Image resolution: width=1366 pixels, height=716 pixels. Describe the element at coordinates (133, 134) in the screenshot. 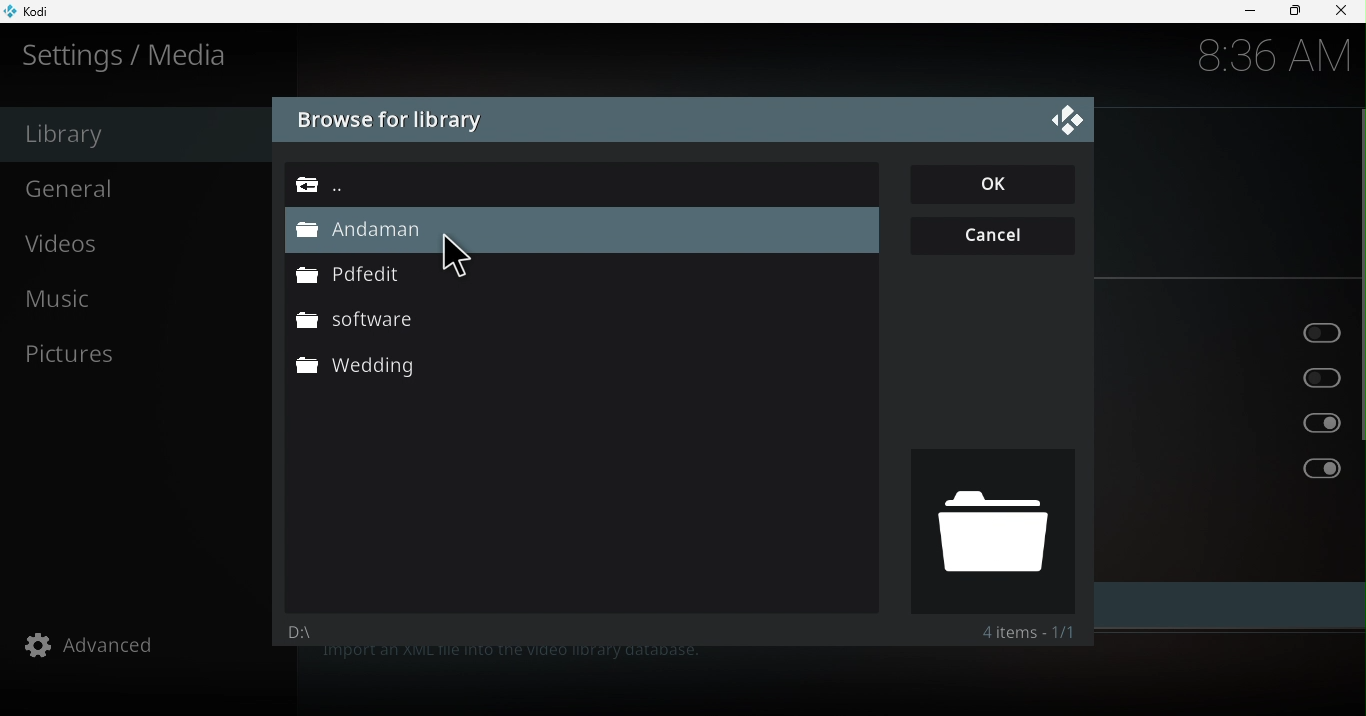

I see `Library` at that location.